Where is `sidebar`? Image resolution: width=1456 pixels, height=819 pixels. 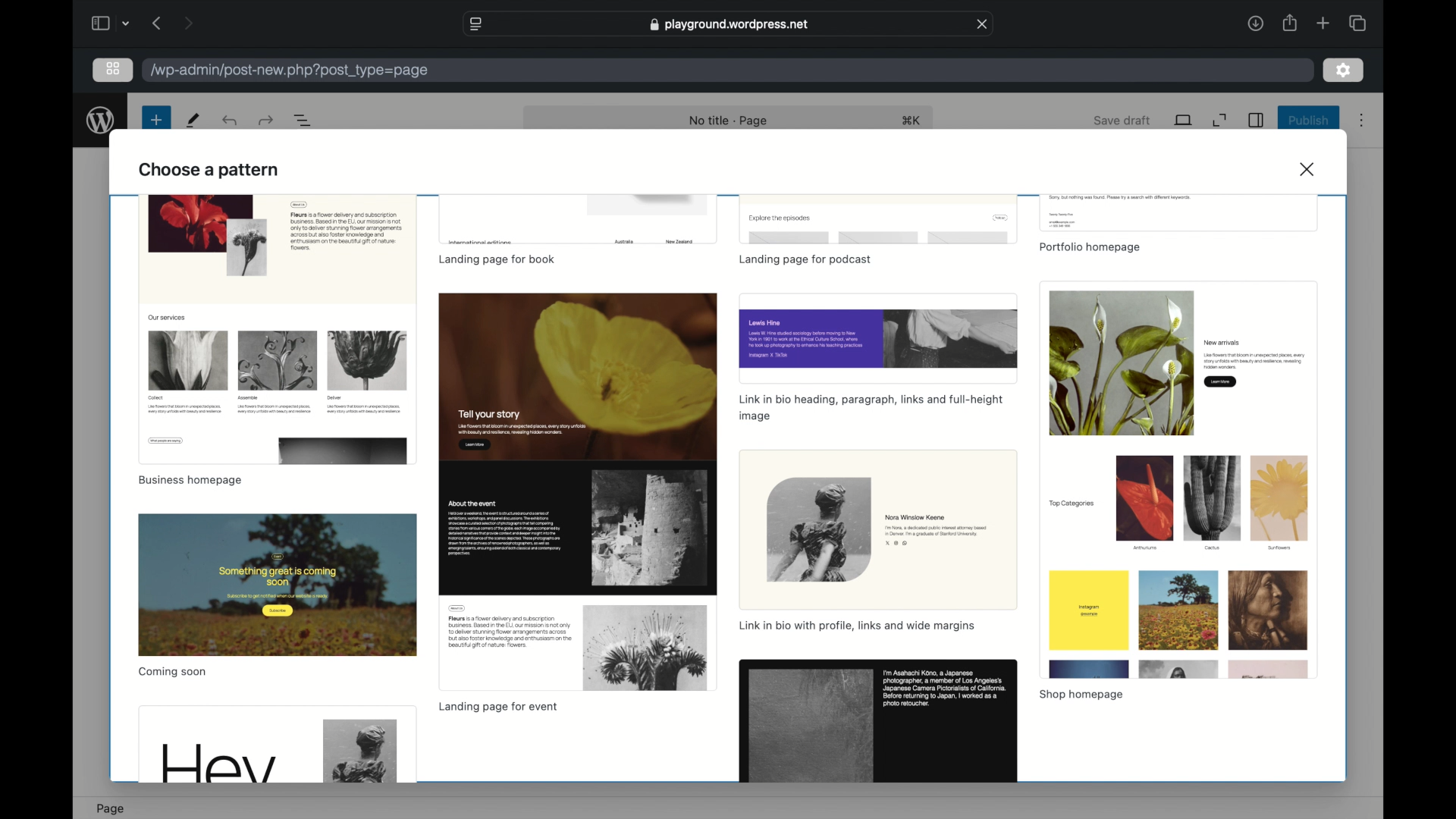 sidebar is located at coordinates (1257, 120).